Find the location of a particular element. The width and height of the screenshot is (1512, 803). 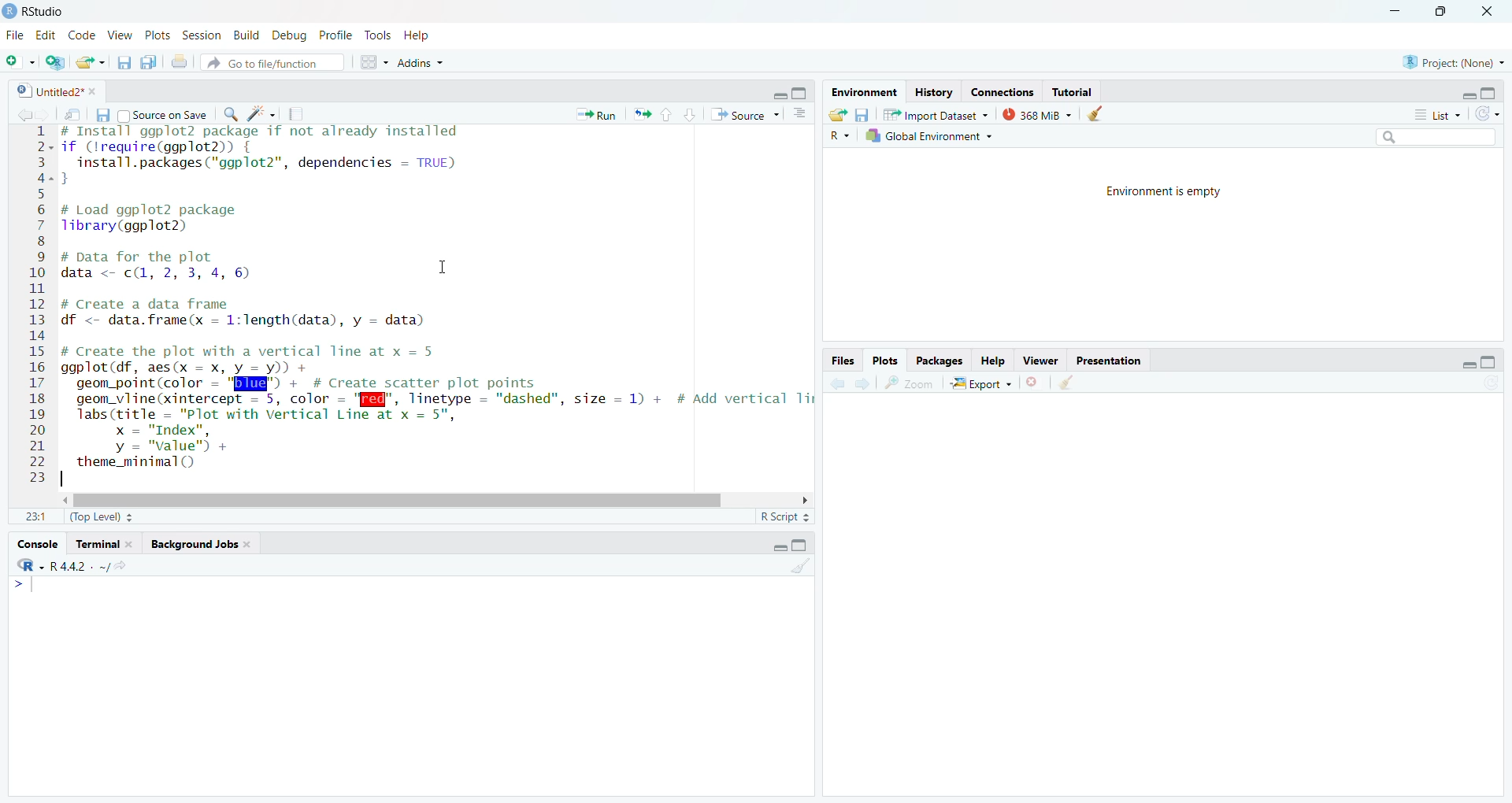

s Session is located at coordinates (198, 35).